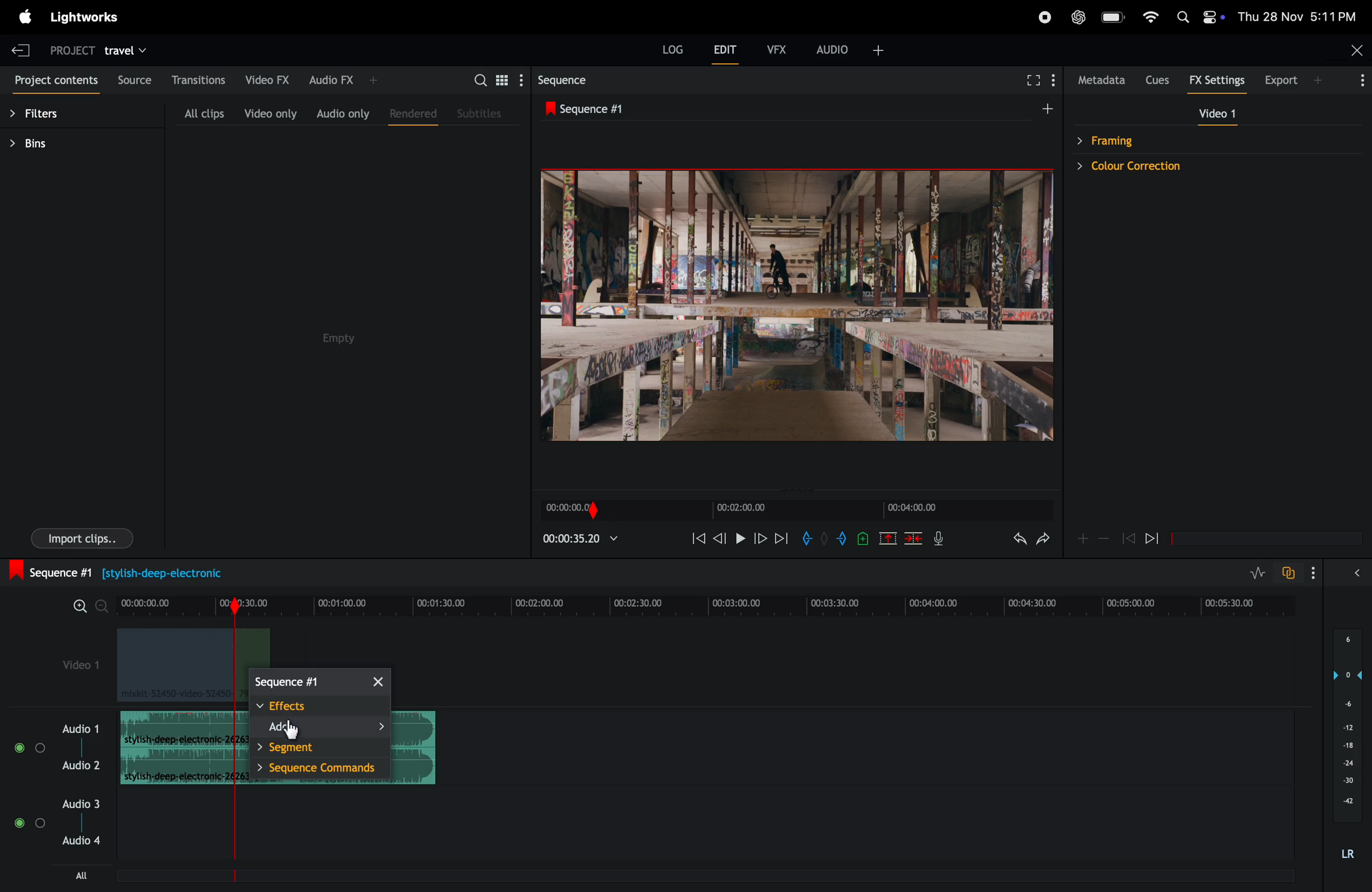 The height and width of the screenshot is (892, 1372). What do you see at coordinates (1031, 78) in the screenshot?
I see `full screen` at bounding box center [1031, 78].